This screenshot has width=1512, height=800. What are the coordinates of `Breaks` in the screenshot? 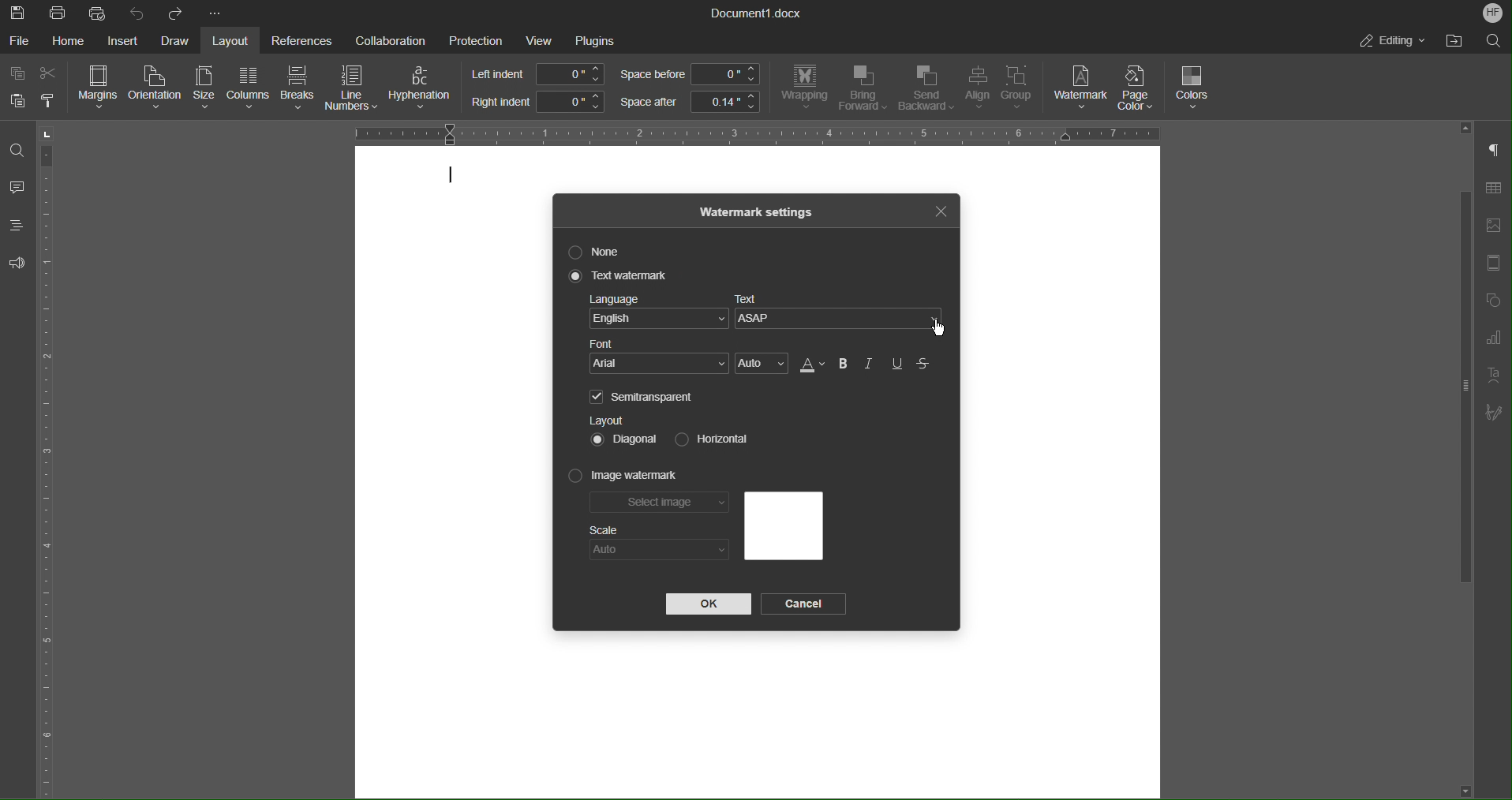 It's located at (298, 89).